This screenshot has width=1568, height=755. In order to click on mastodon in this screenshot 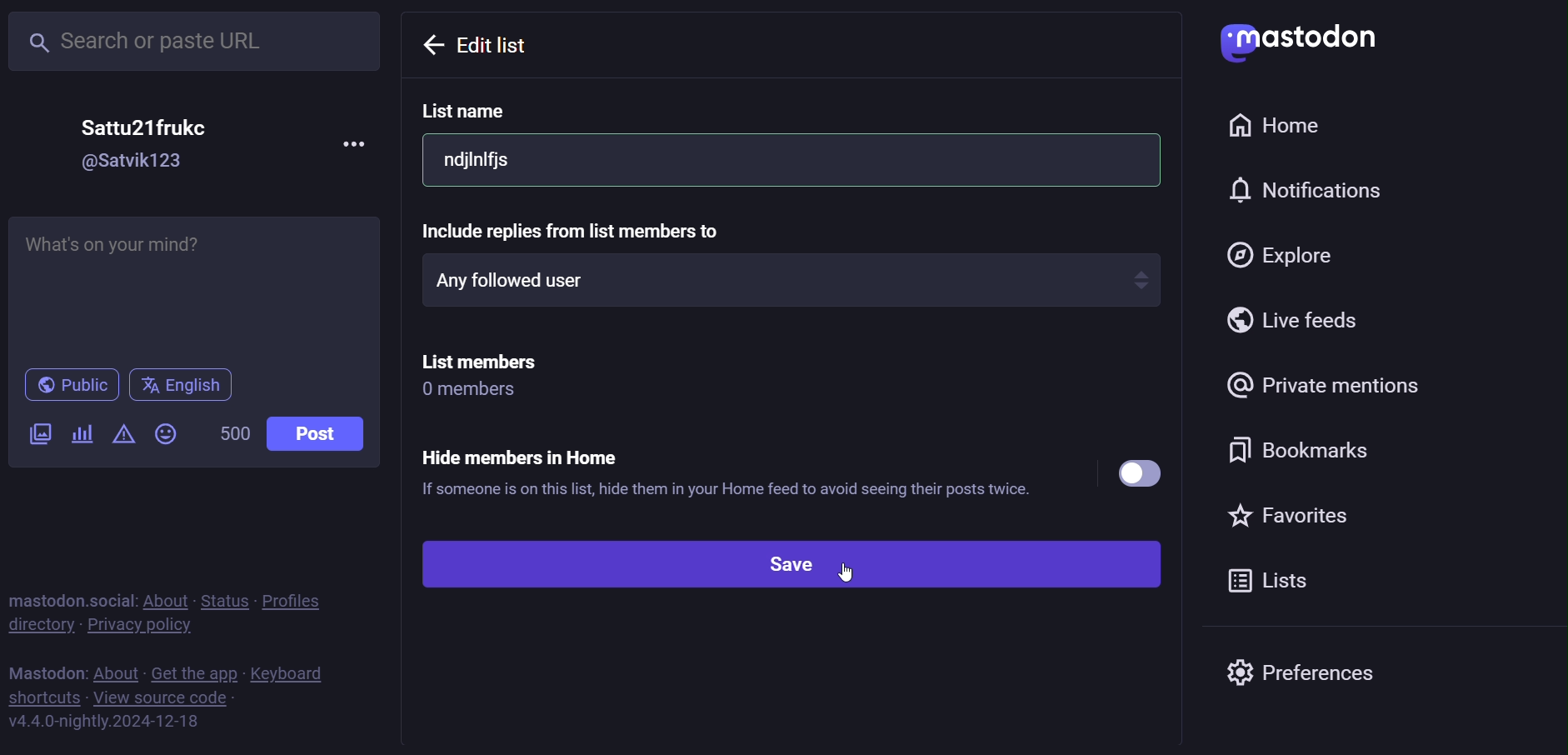, I will do `click(43, 671)`.